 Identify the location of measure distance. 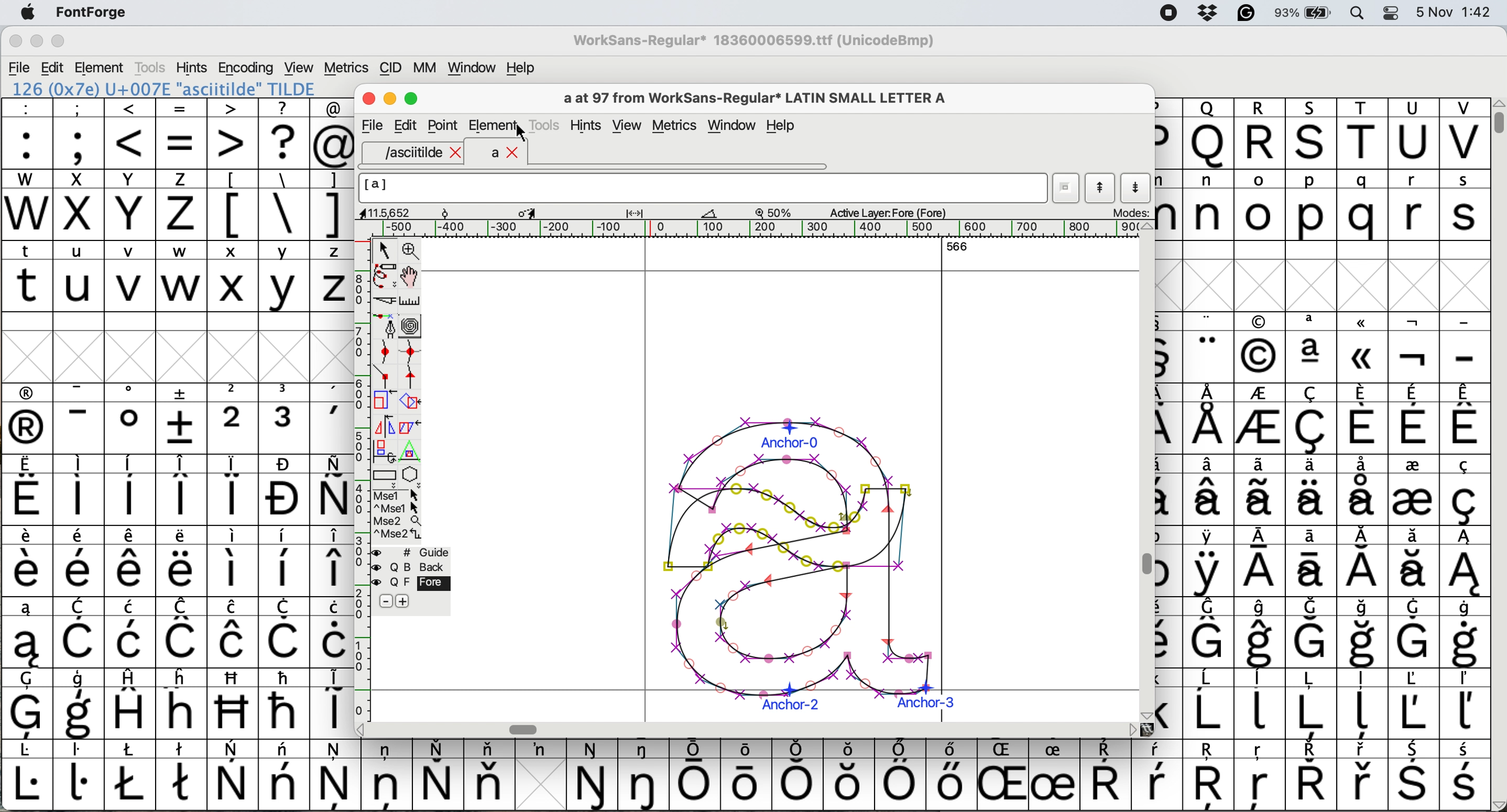
(411, 301).